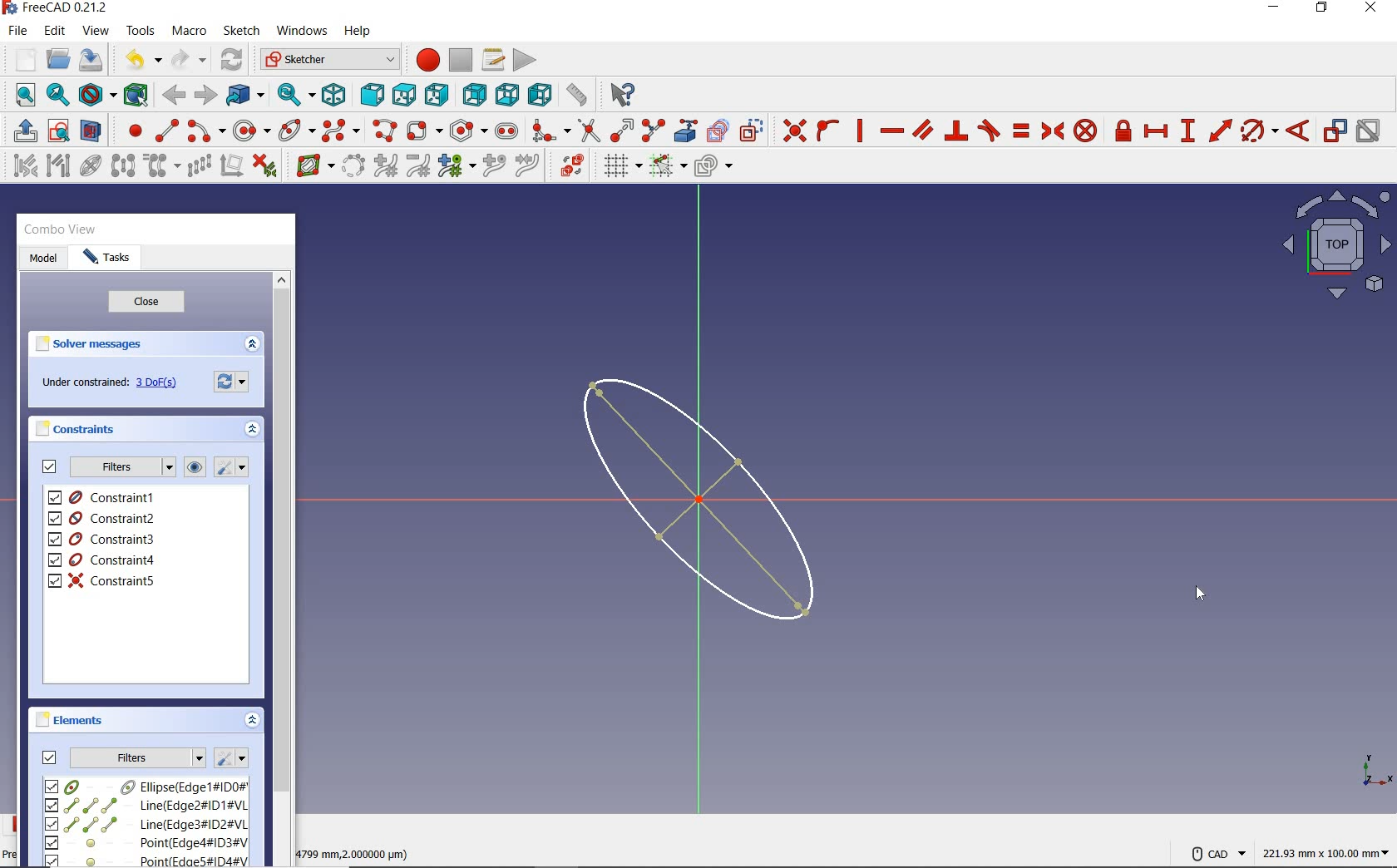 The width and height of the screenshot is (1397, 868). What do you see at coordinates (147, 860) in the screenshot?
I see `element5` at bounding box center [147, 860].